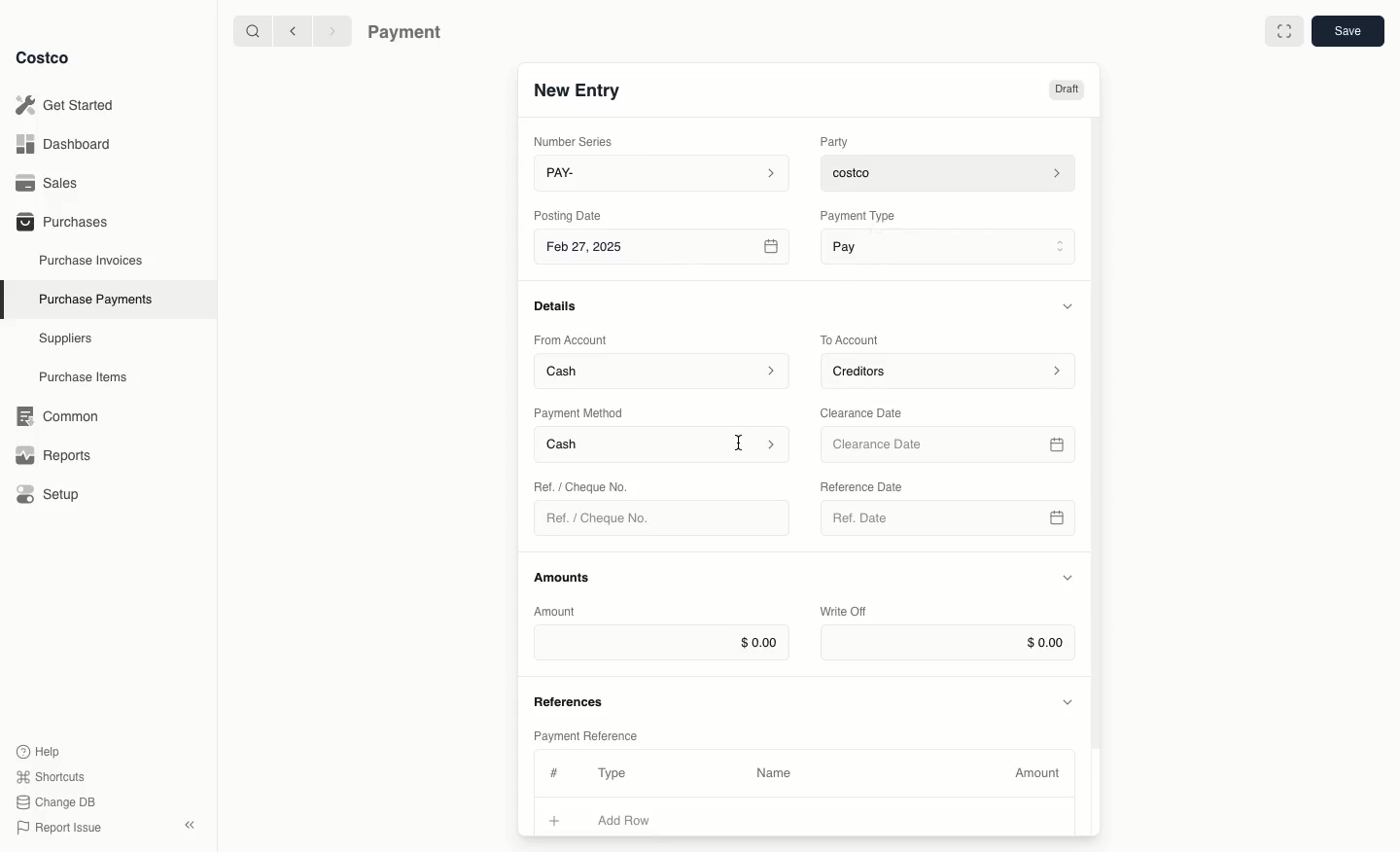 This screenshot has height=852, width=1400. What do you see at coordinates (580, 412) in the screenshot?
I see `Payment Method` at bounding box center [580, 412].